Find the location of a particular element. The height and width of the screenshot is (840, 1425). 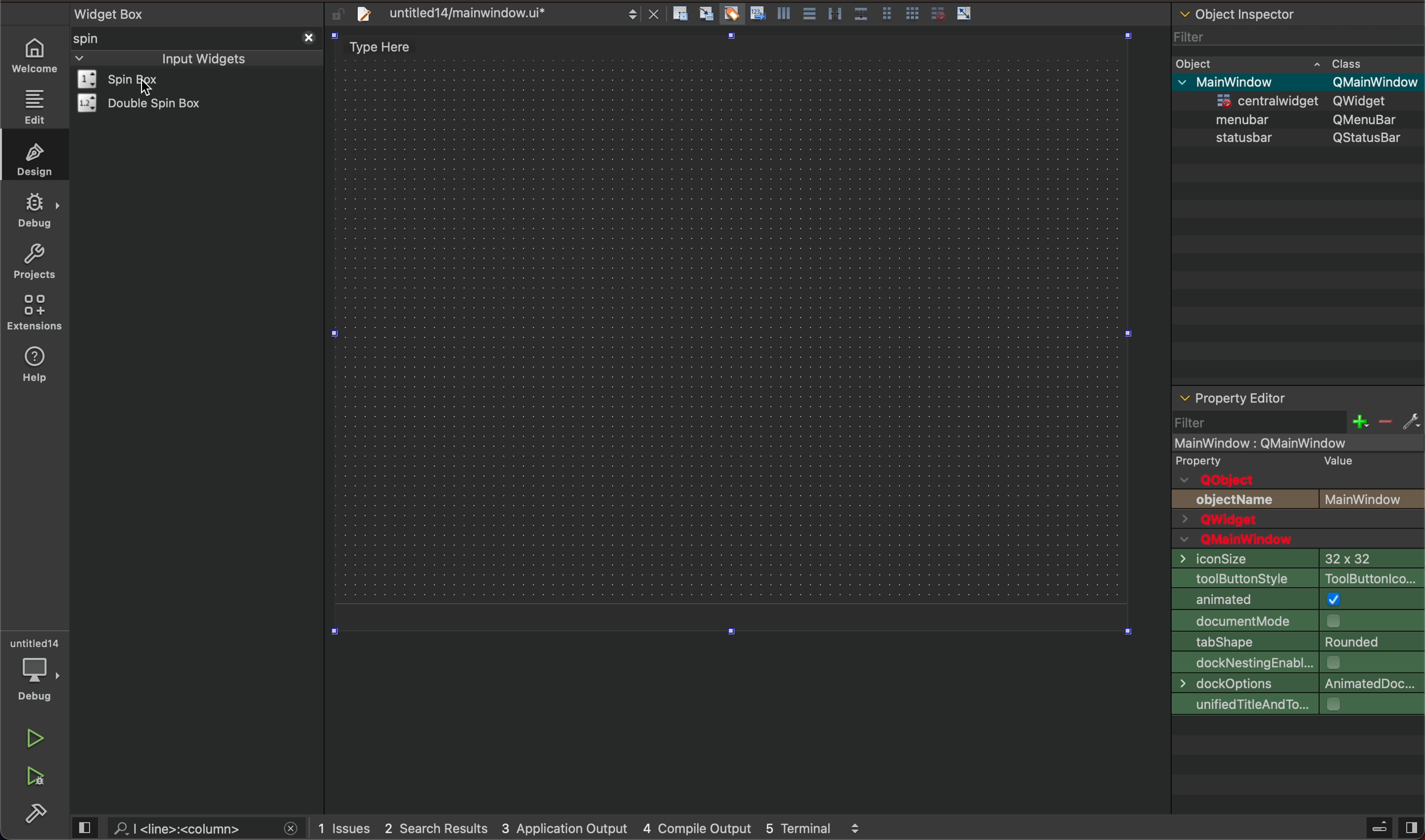

widget box is located at coordinates (200, 12).